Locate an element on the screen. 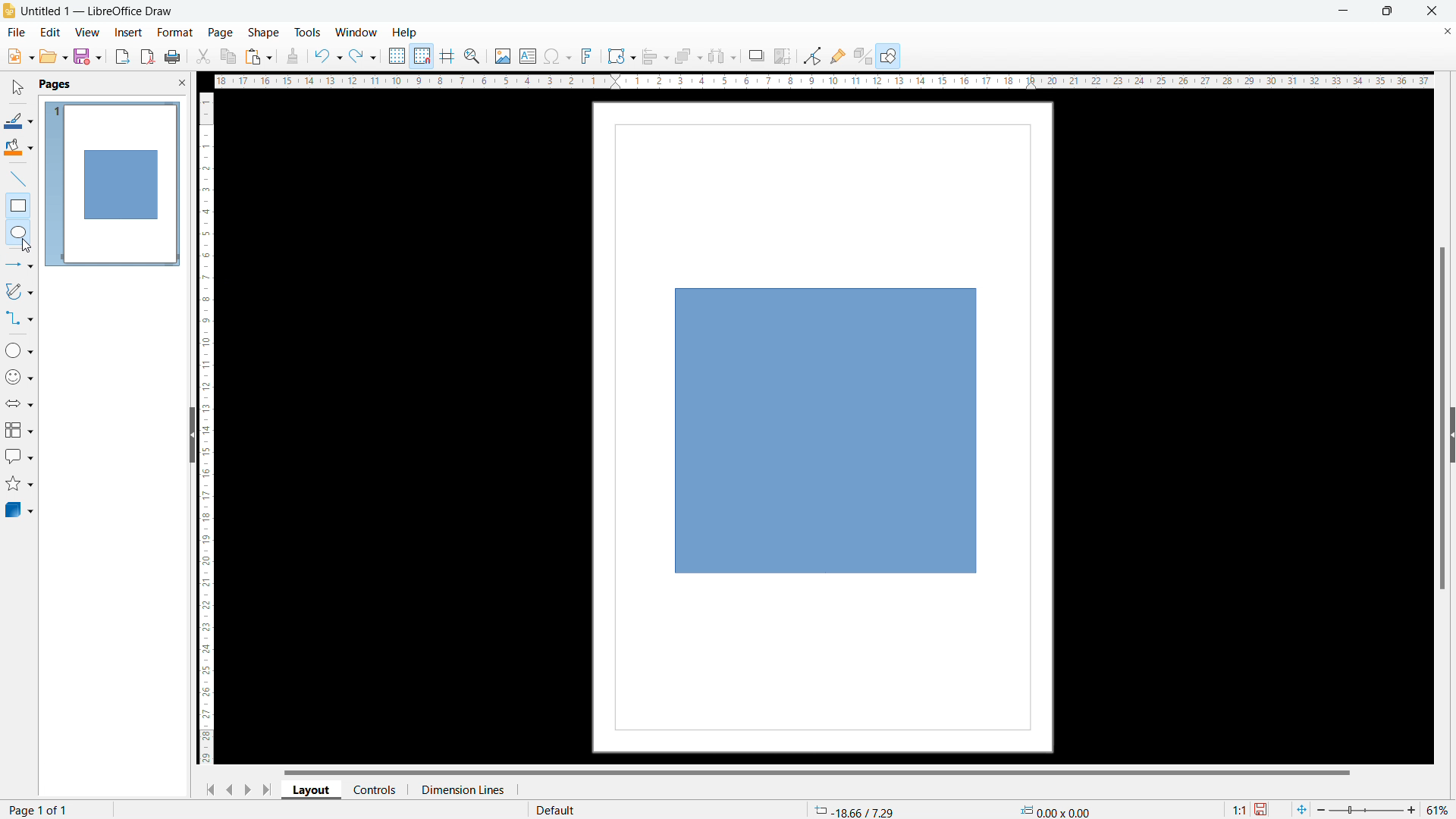  show extrusion is located at coordinates (863, 57).